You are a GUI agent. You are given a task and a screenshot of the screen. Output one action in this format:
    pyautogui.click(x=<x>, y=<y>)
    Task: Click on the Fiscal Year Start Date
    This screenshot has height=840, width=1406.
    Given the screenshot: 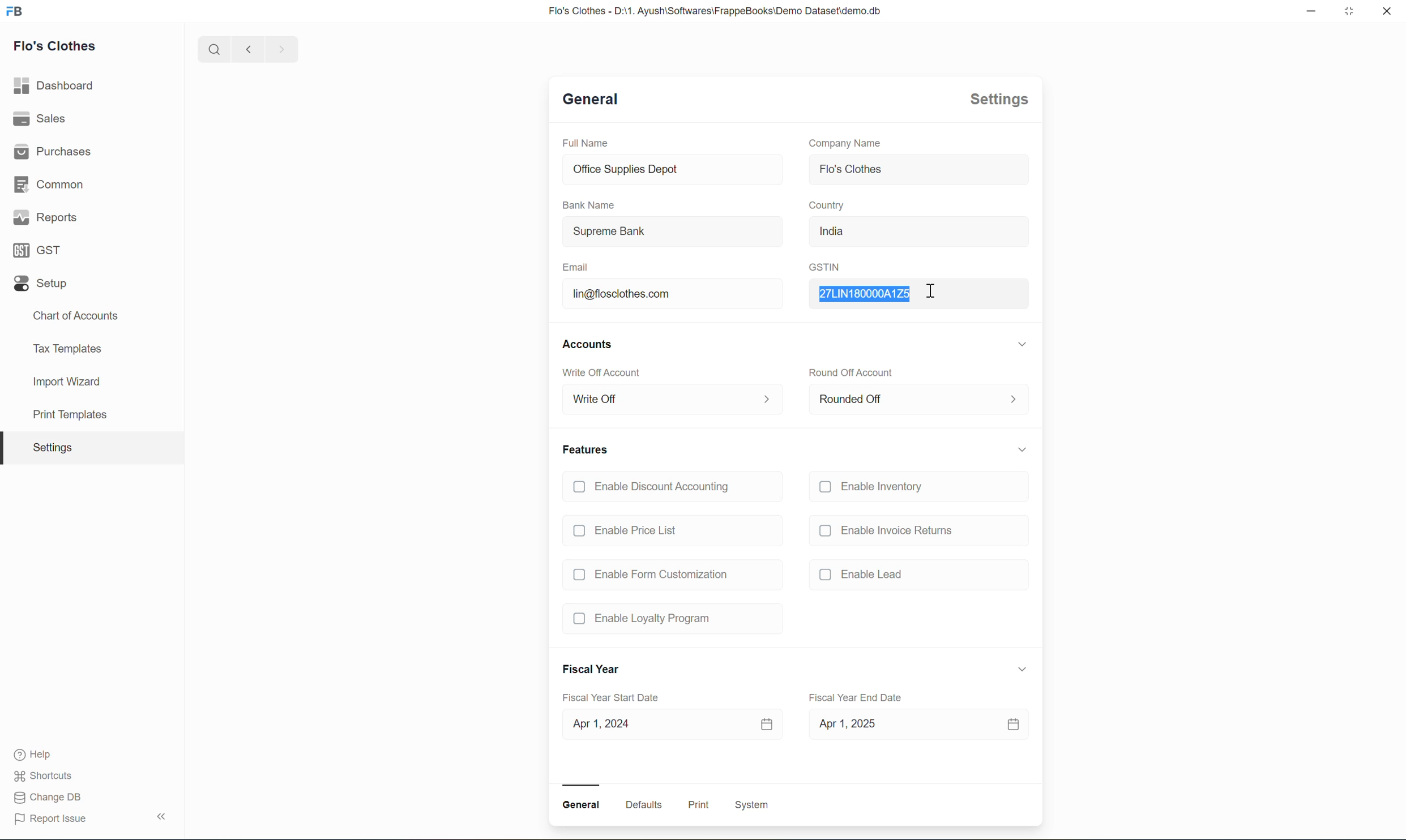 What is the action you would take?
    pyautogui.click(x=610, y=697)
    